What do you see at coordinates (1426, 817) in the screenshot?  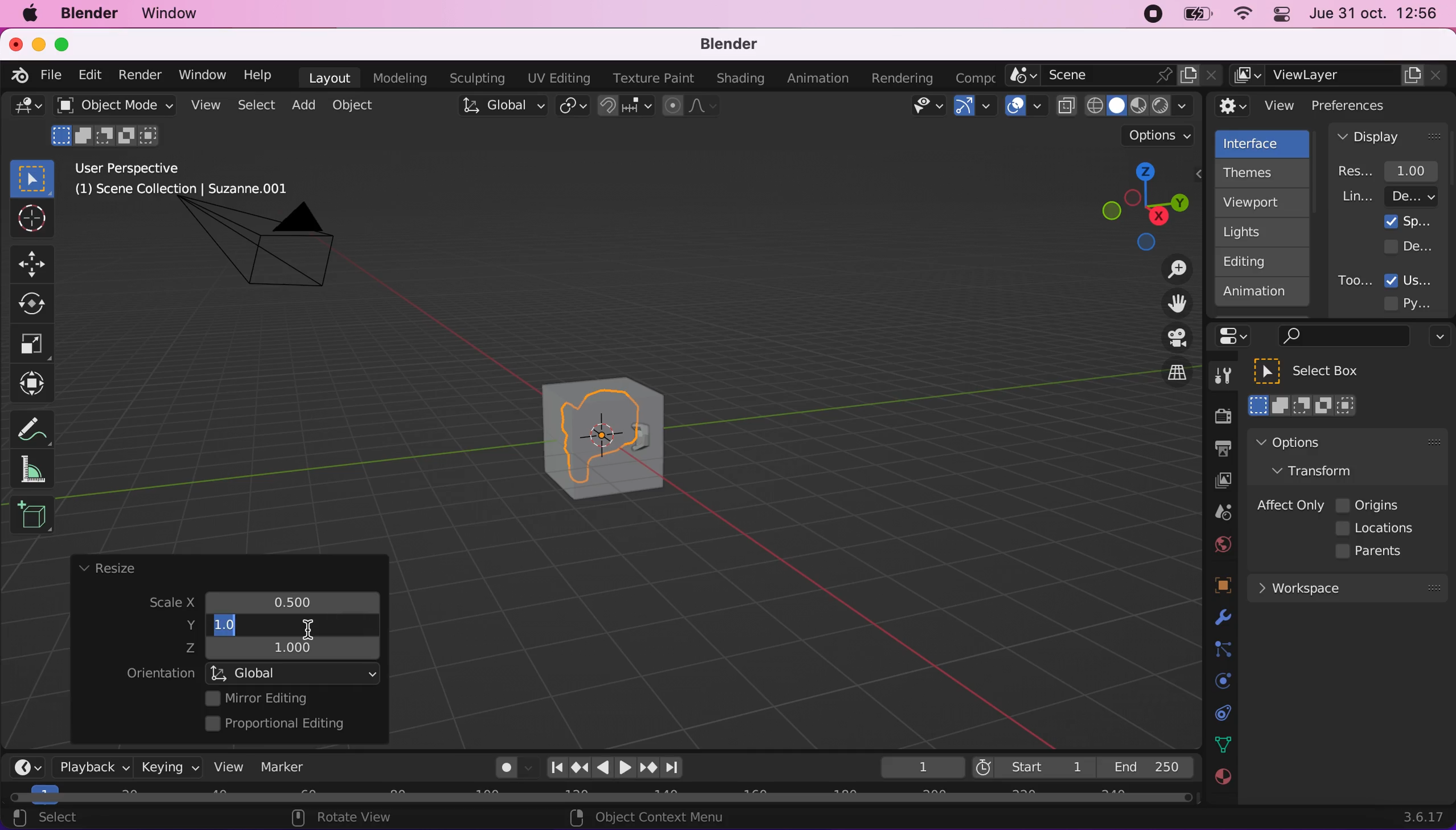 I see `3.6.17` at bounding box center [1426, 817].